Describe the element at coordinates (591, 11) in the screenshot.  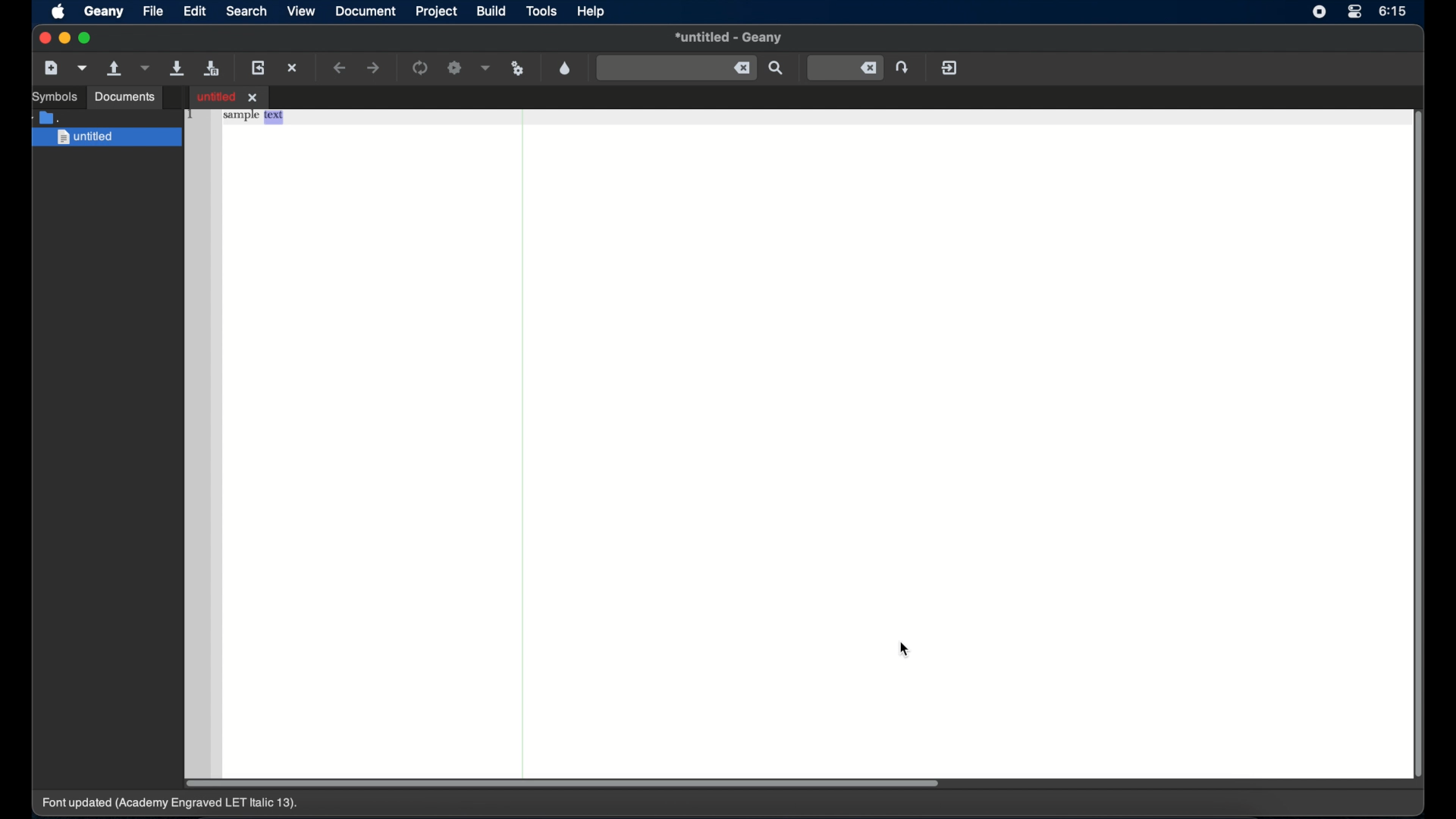
I see `help` at that location.